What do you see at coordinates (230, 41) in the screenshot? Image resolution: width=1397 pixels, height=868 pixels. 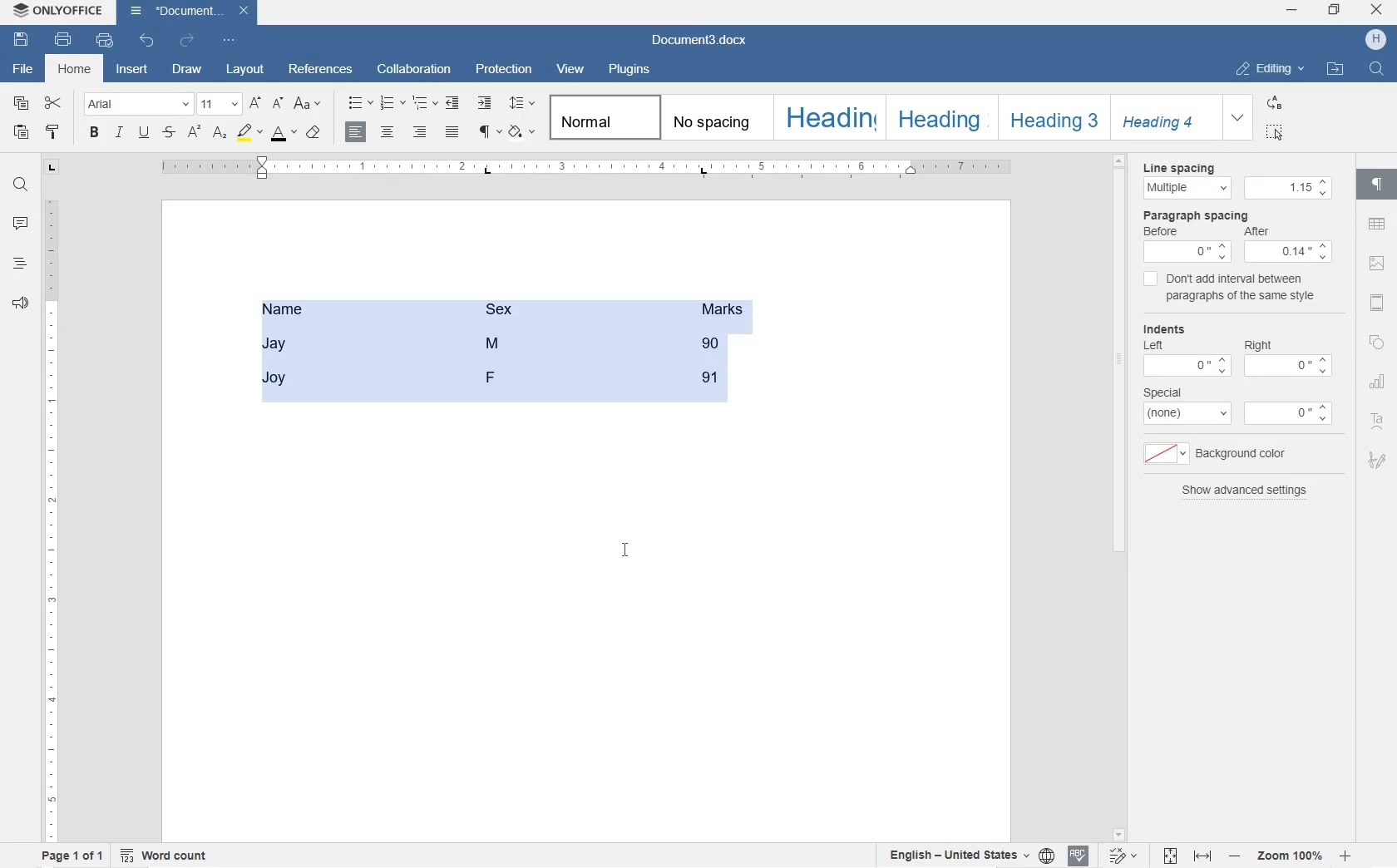 I see `CUSTOMIZE QUICK ACCESSTOOLBAR` at bounding box center [230, 41].